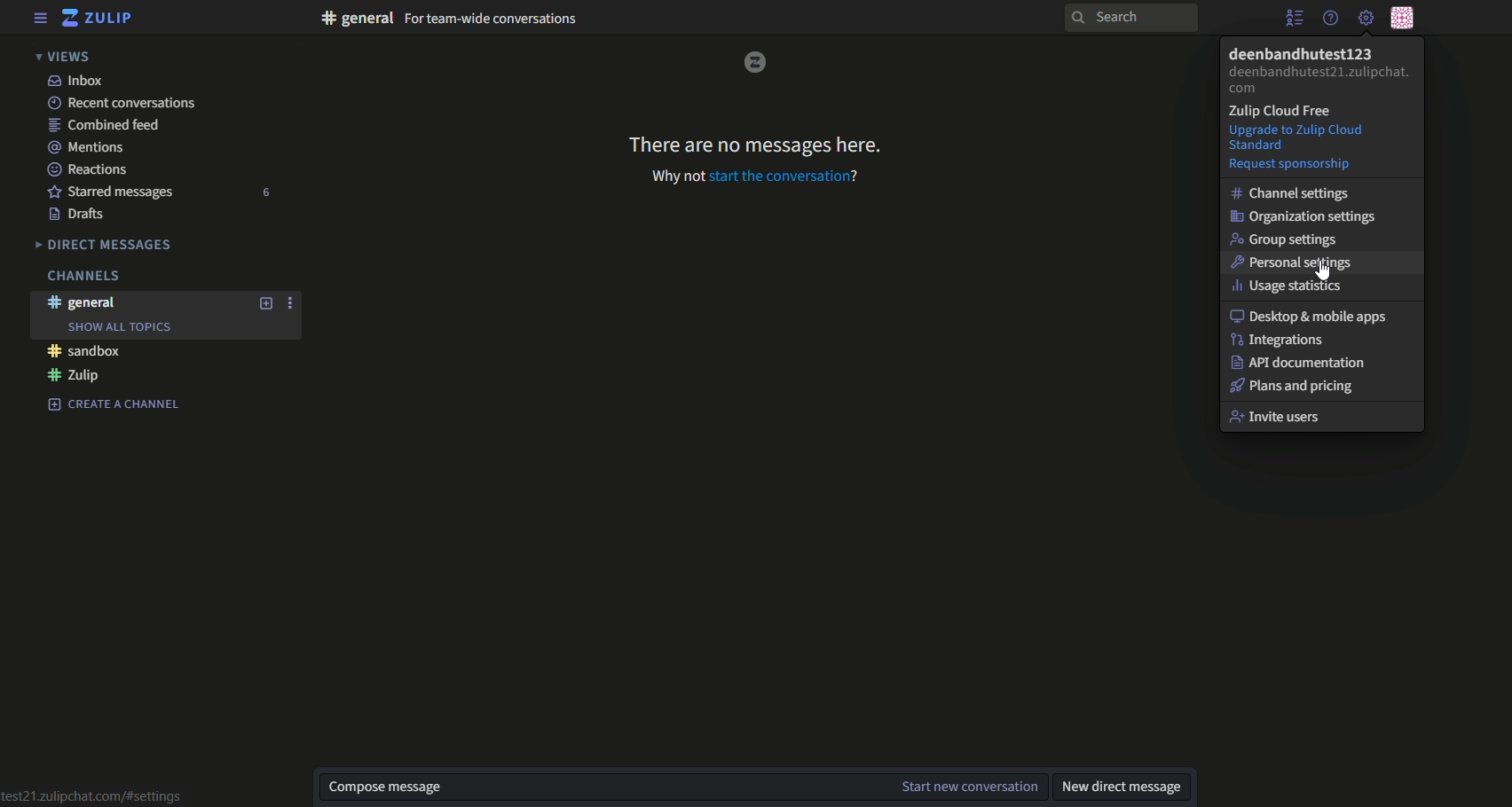  Describe the element at coordinates (786, 176) in the screenshot. I see `start the conversation?` at that location.